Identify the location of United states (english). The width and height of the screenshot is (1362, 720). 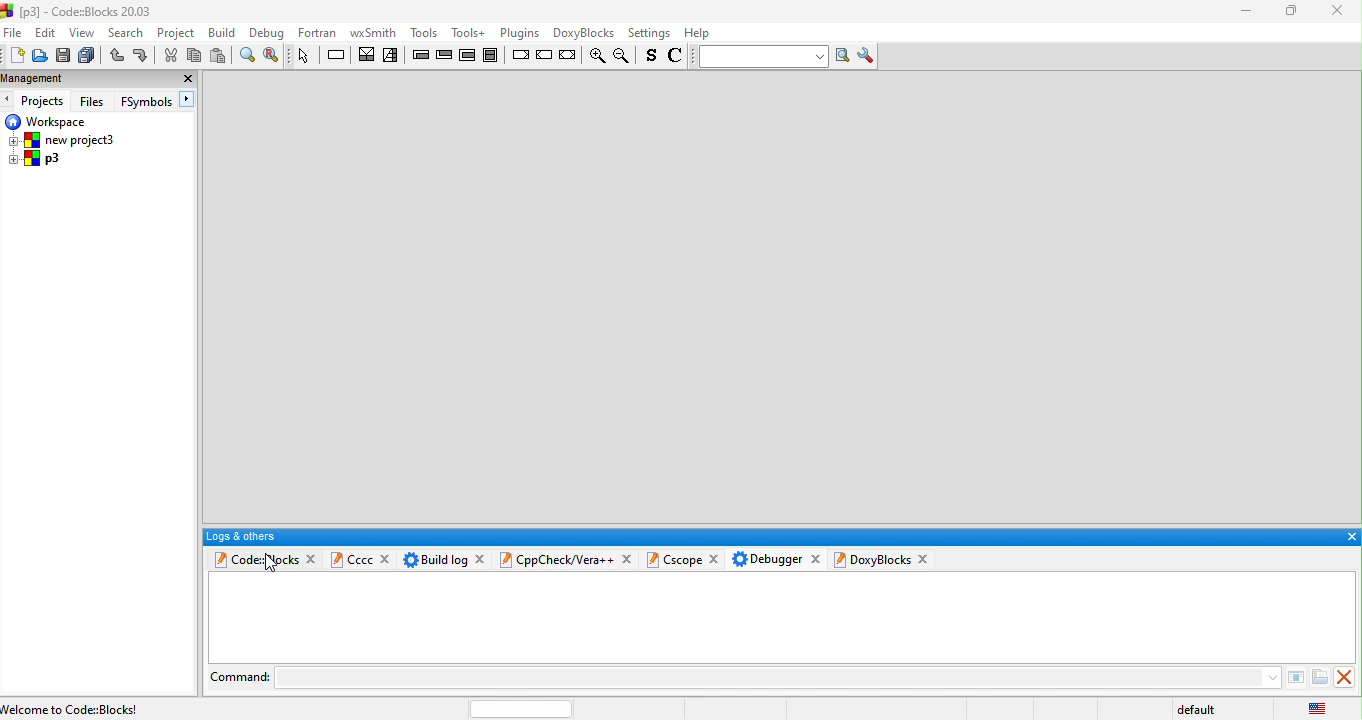
(1320, 706).